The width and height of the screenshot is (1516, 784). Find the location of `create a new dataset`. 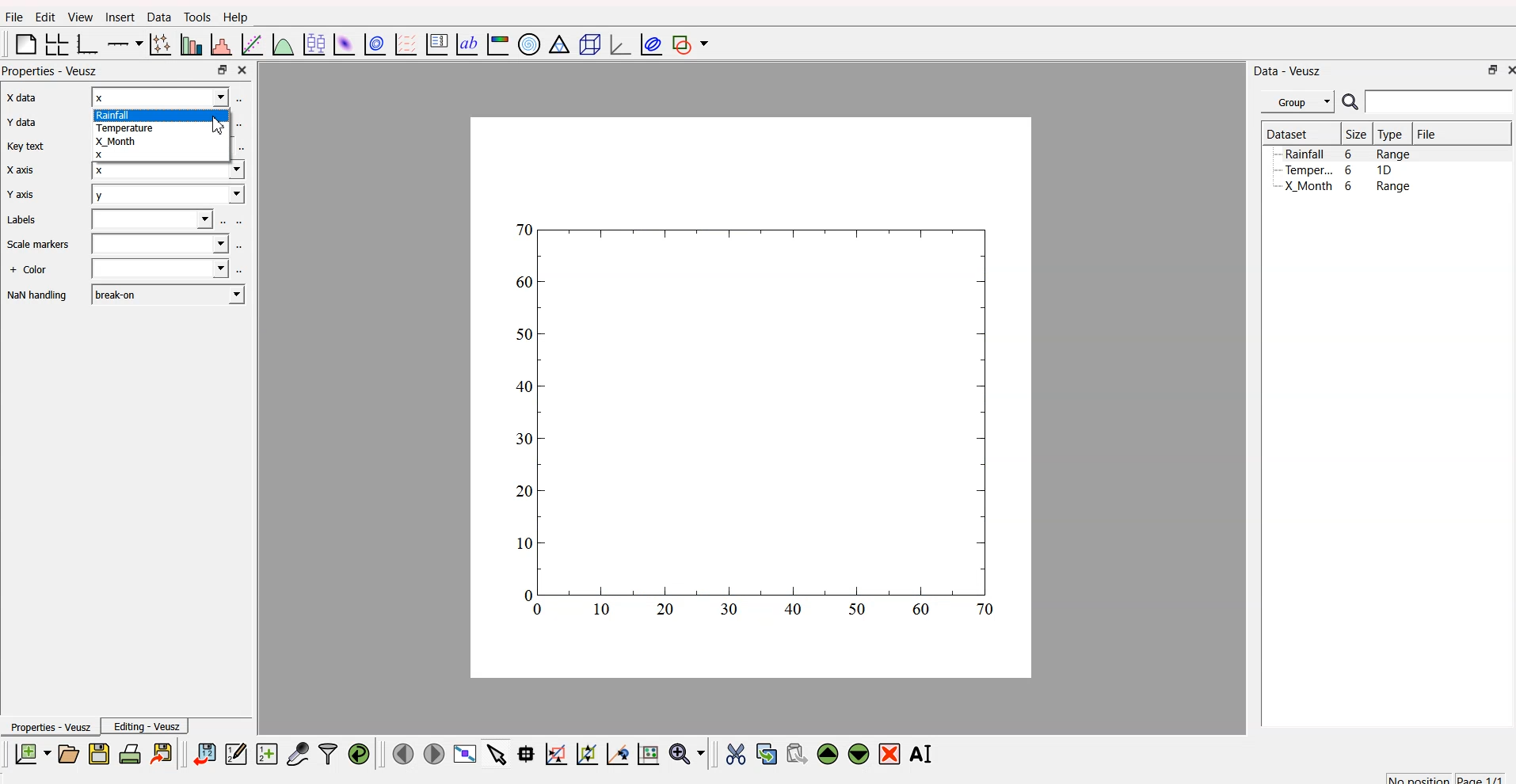

create a new dataset is located at coordinates (266, 753).